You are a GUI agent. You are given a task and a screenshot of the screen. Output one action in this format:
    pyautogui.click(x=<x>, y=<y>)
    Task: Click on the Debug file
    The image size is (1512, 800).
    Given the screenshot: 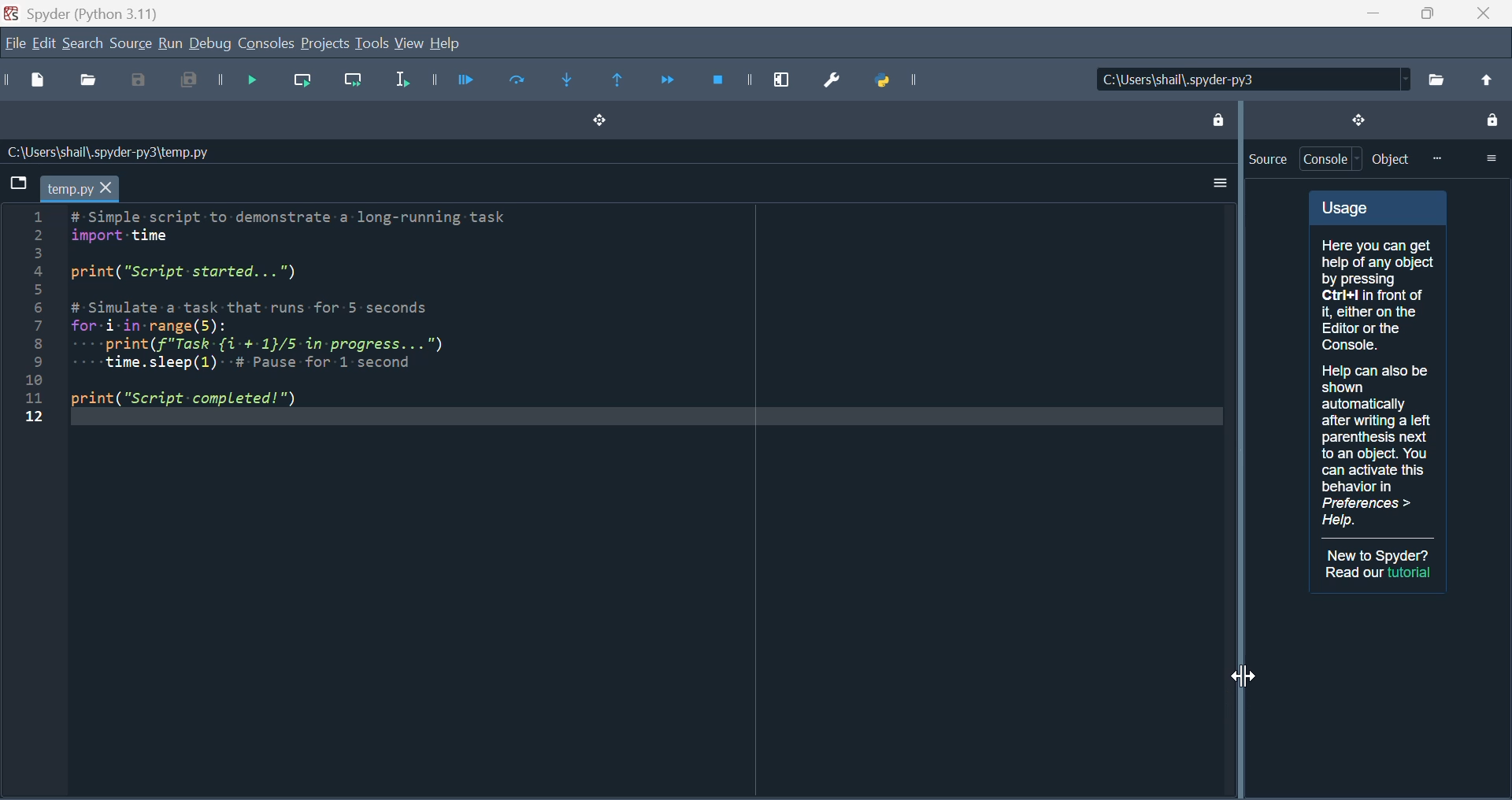 What is the action you would take?
    pyautogui.click(x=244, y=82)
    